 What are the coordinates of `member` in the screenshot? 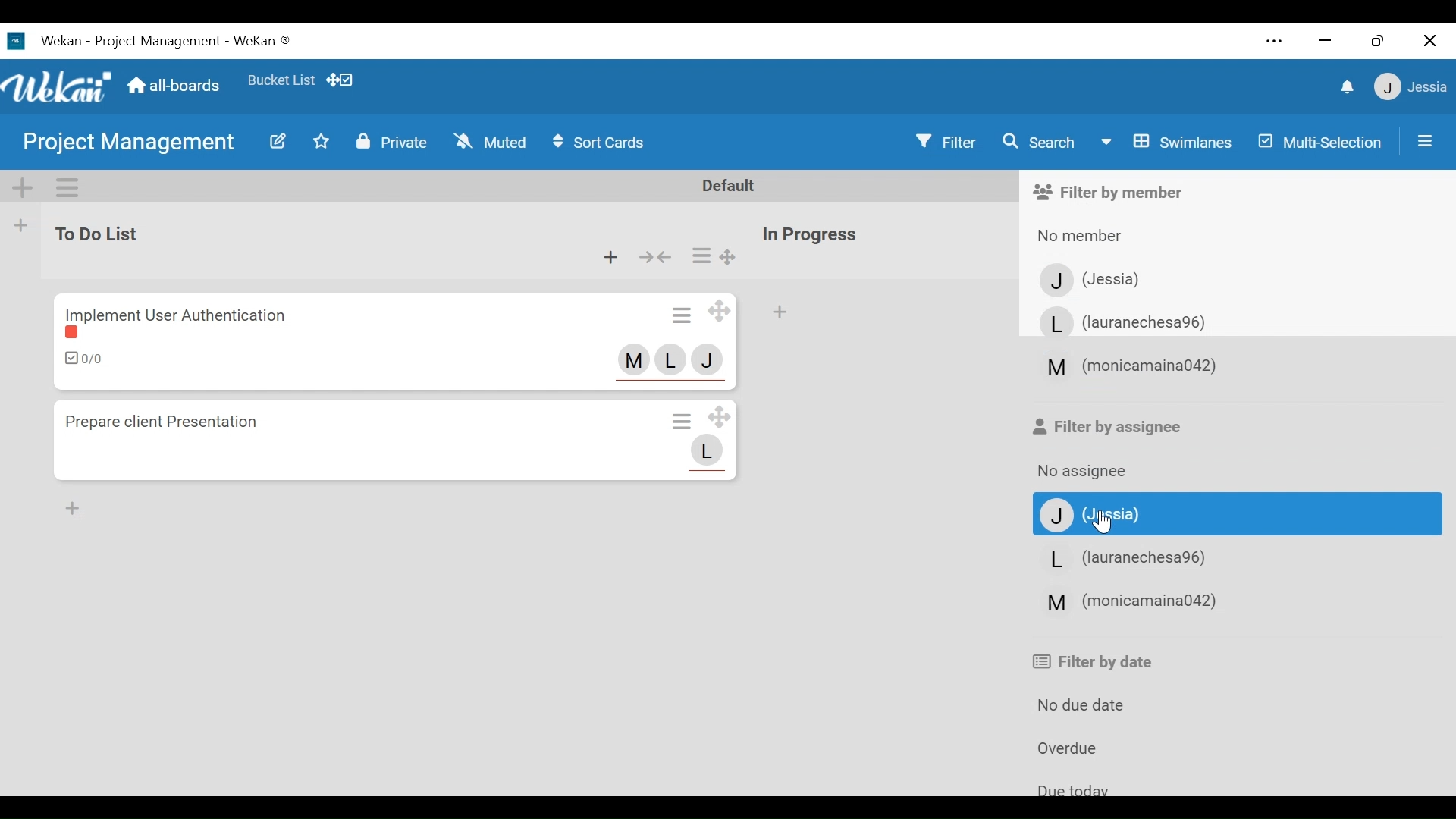 It's located at (713, 360).